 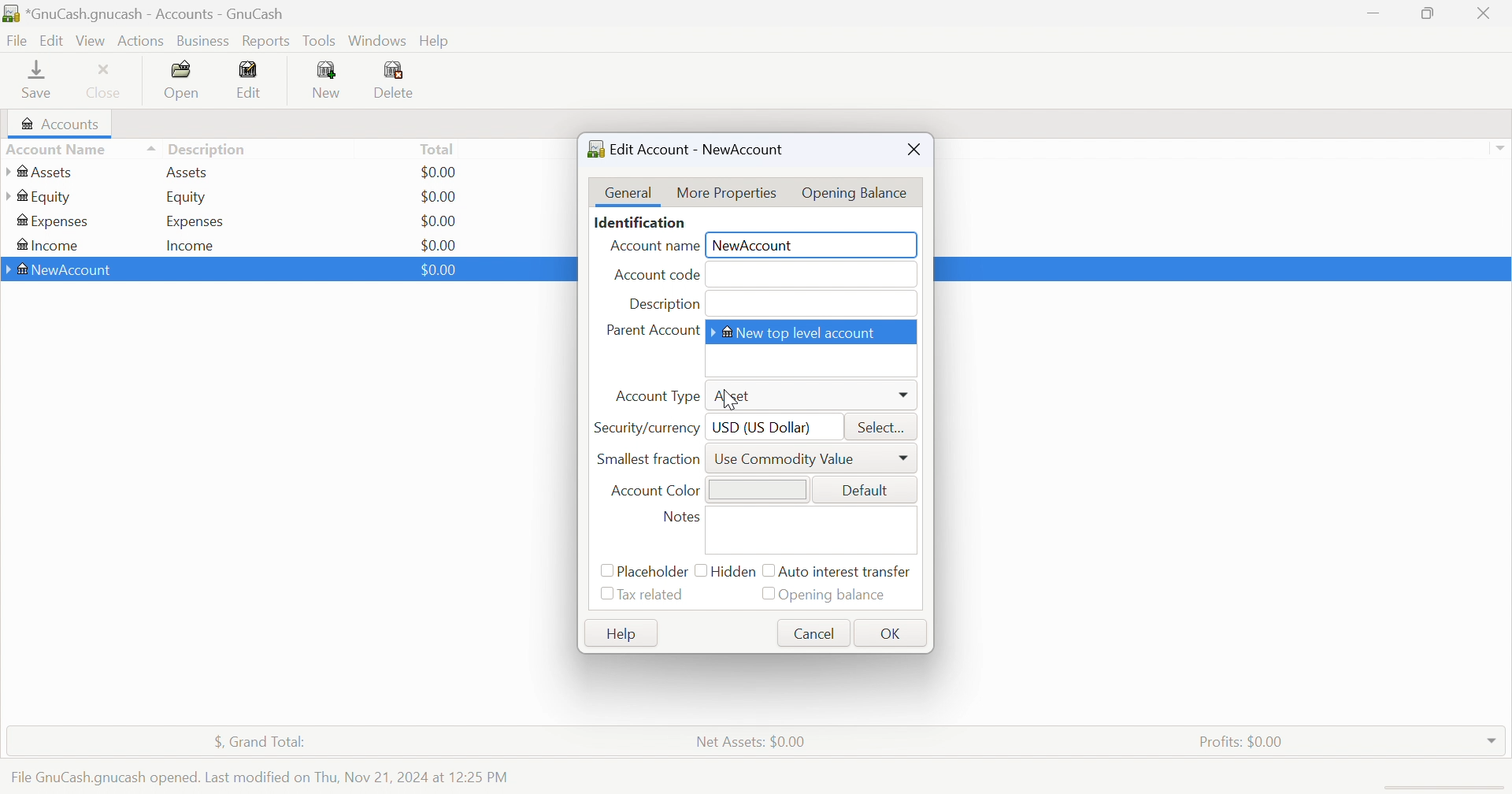 I want to click on Placeholder, so click(x=651, y=572).